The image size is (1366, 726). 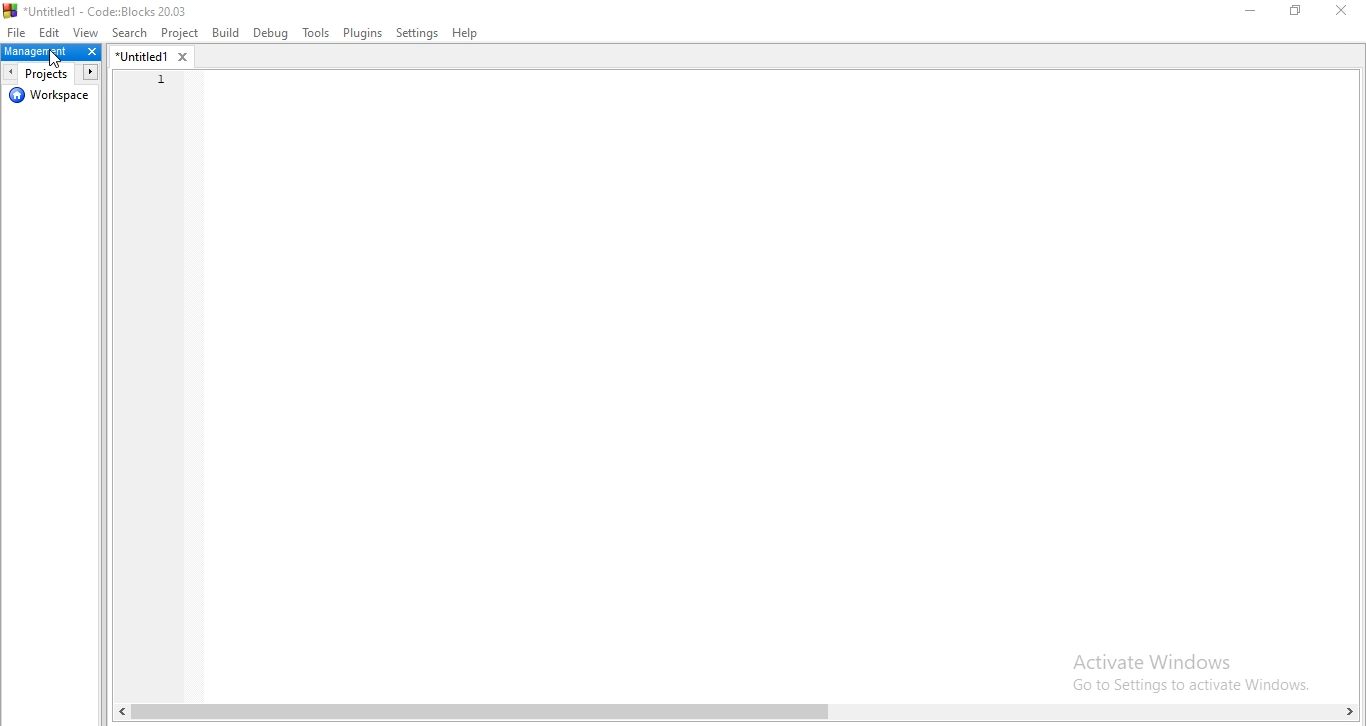 I want to click on View , so click(x=88, y=31).